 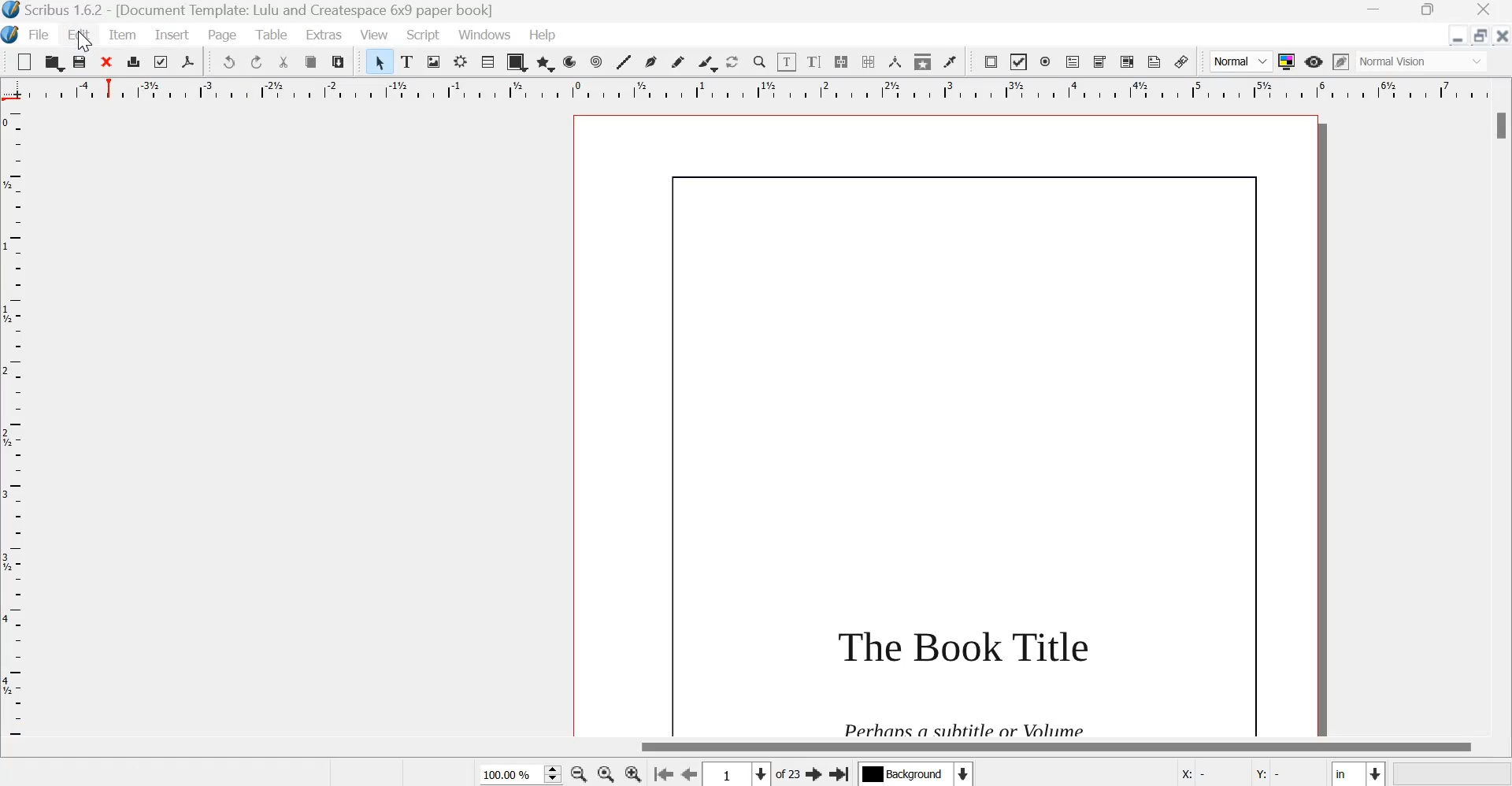 What do you see at coordinates (190, 62) in the screenshot?
I see `save as pdf` at bounding box center [190, 62].